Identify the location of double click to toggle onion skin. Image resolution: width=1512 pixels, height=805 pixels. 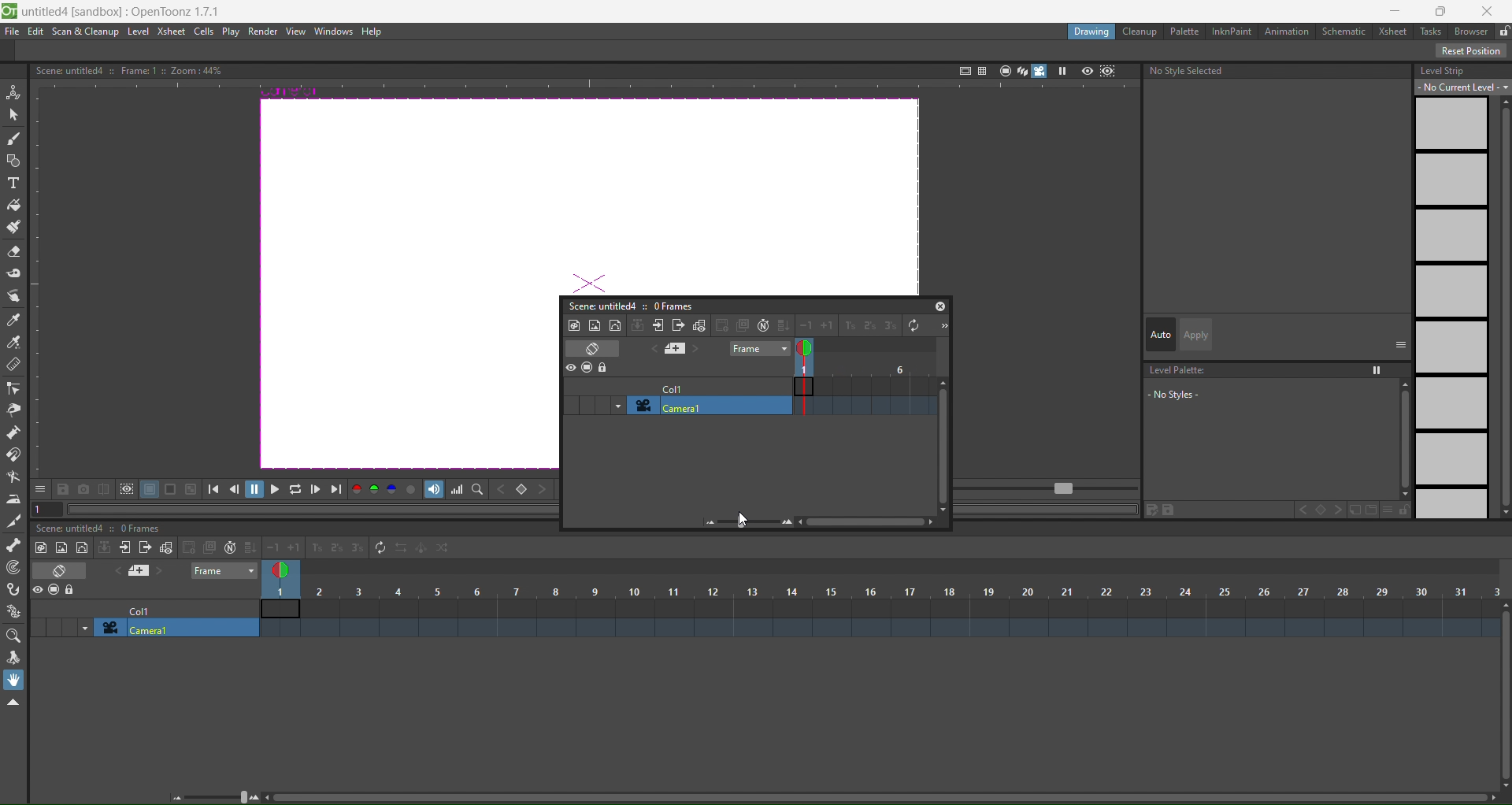
(813, 348).